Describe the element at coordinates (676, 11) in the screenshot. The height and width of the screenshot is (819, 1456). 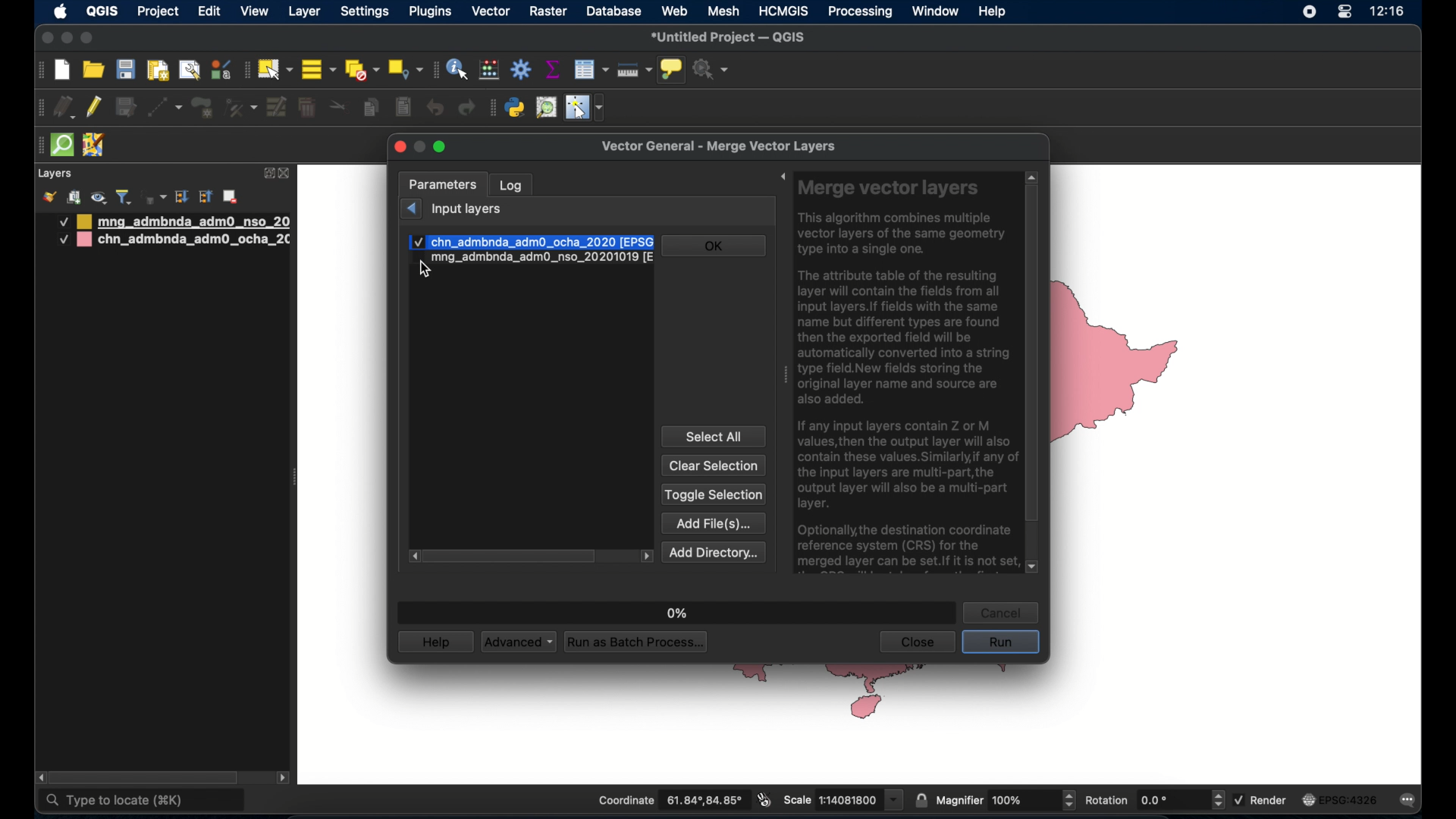
I see `web` at that location.